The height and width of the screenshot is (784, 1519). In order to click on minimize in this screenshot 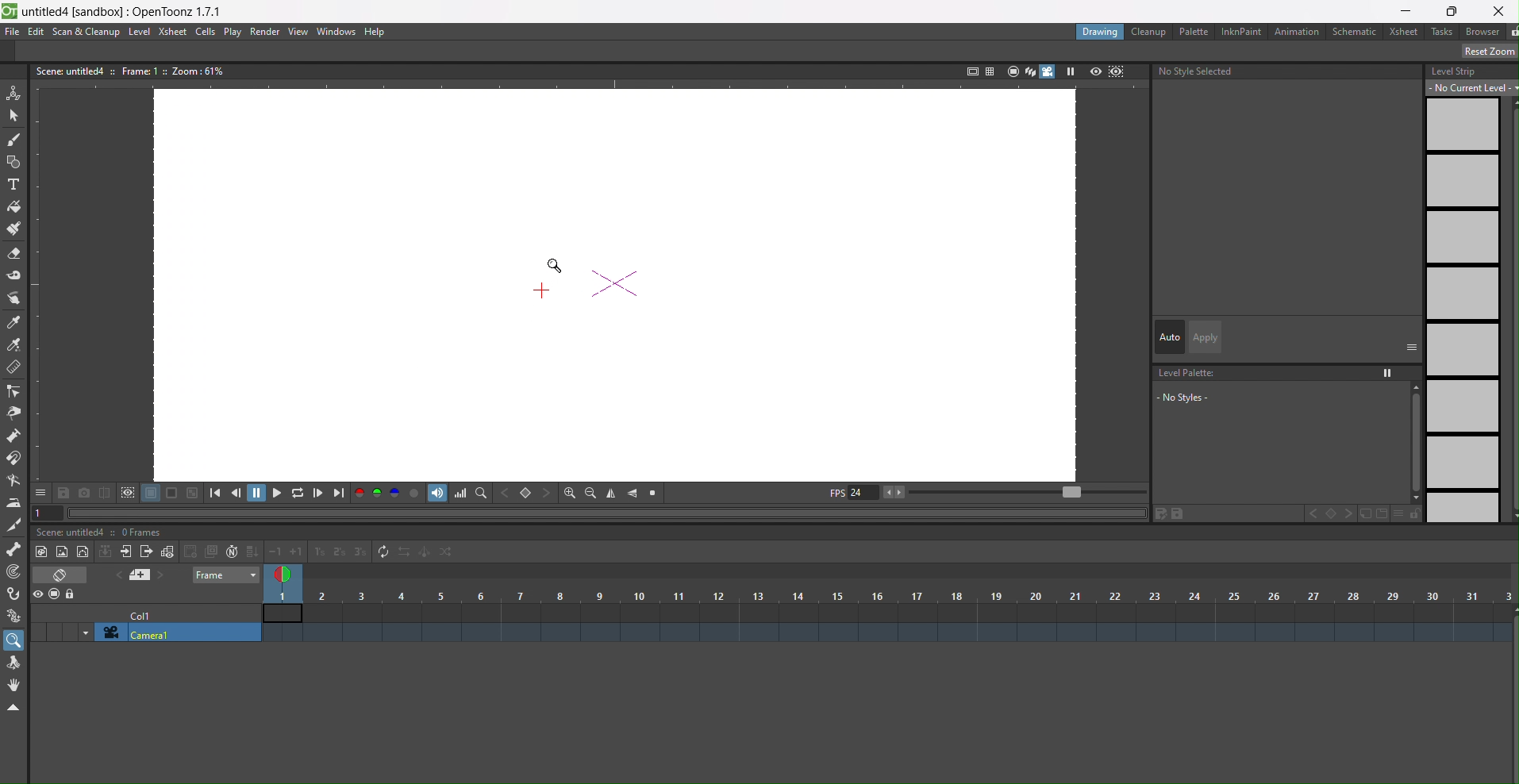, I will do `click(1409, 10)`.